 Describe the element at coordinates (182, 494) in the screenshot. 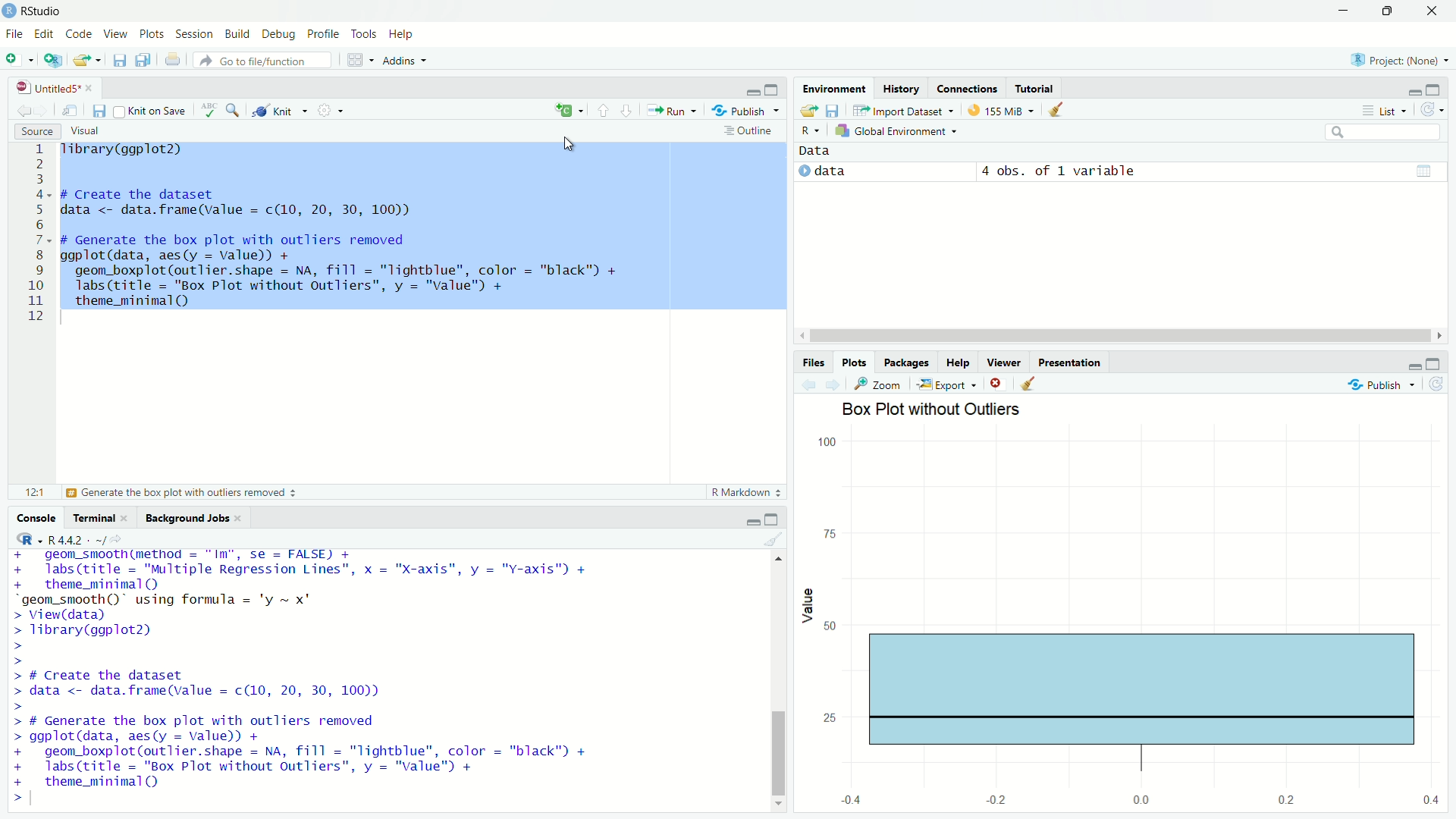

I see `| Generate the box plot with outliers removed +` at that location.